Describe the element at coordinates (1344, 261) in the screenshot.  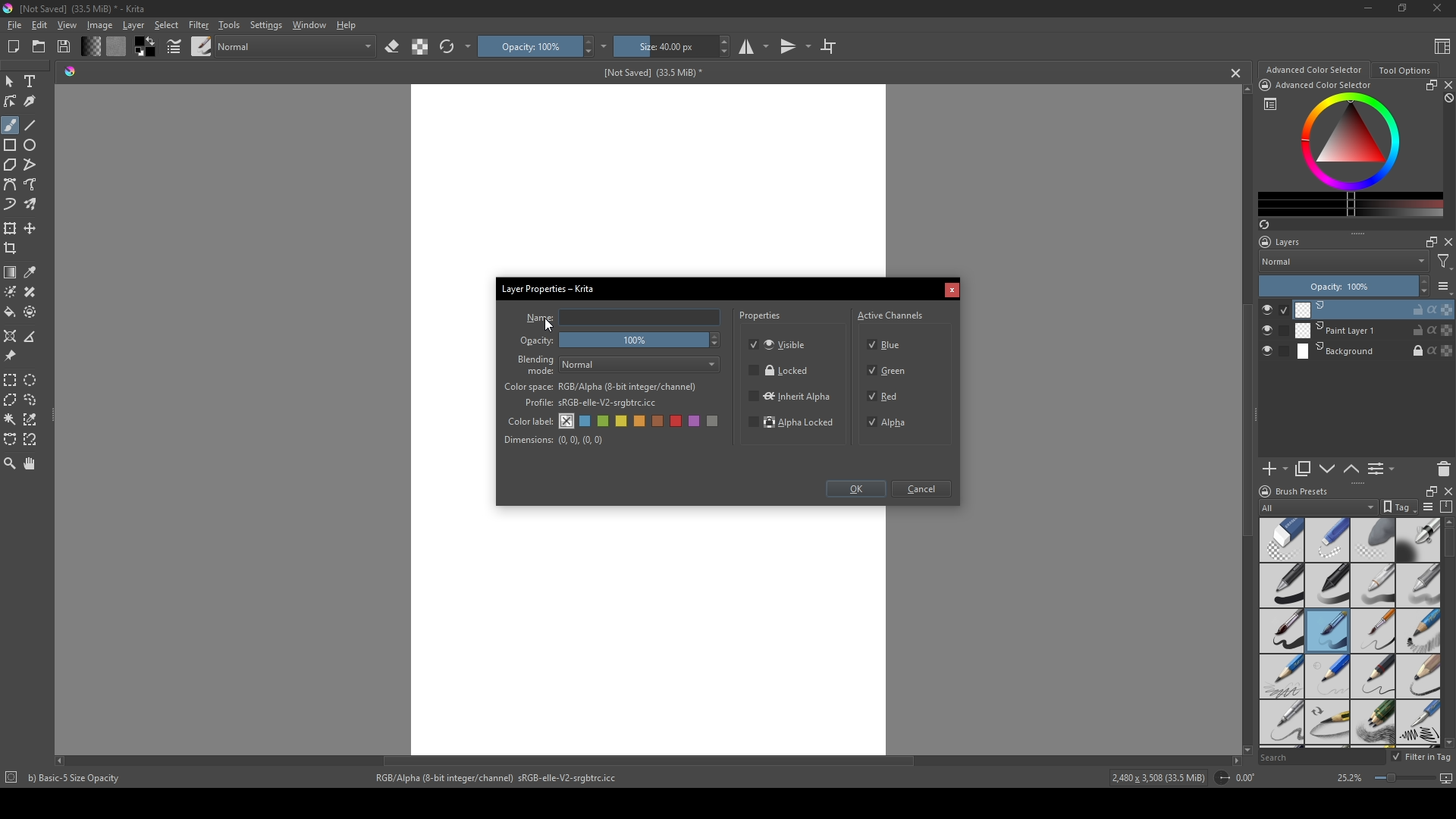
I see `Normal` at that location.